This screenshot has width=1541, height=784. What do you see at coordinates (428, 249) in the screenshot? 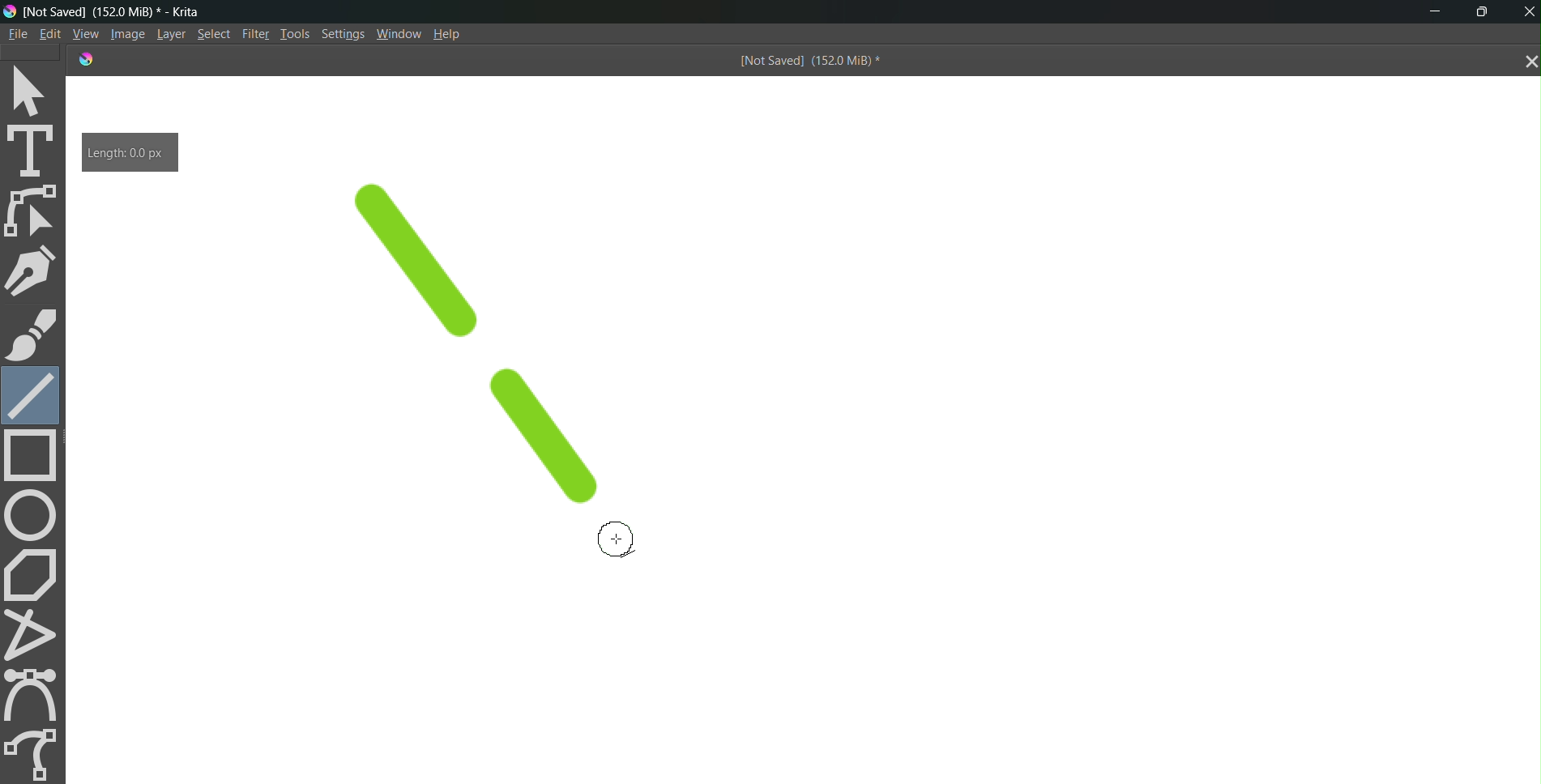
I see `line` at bounding box center [428, 249].